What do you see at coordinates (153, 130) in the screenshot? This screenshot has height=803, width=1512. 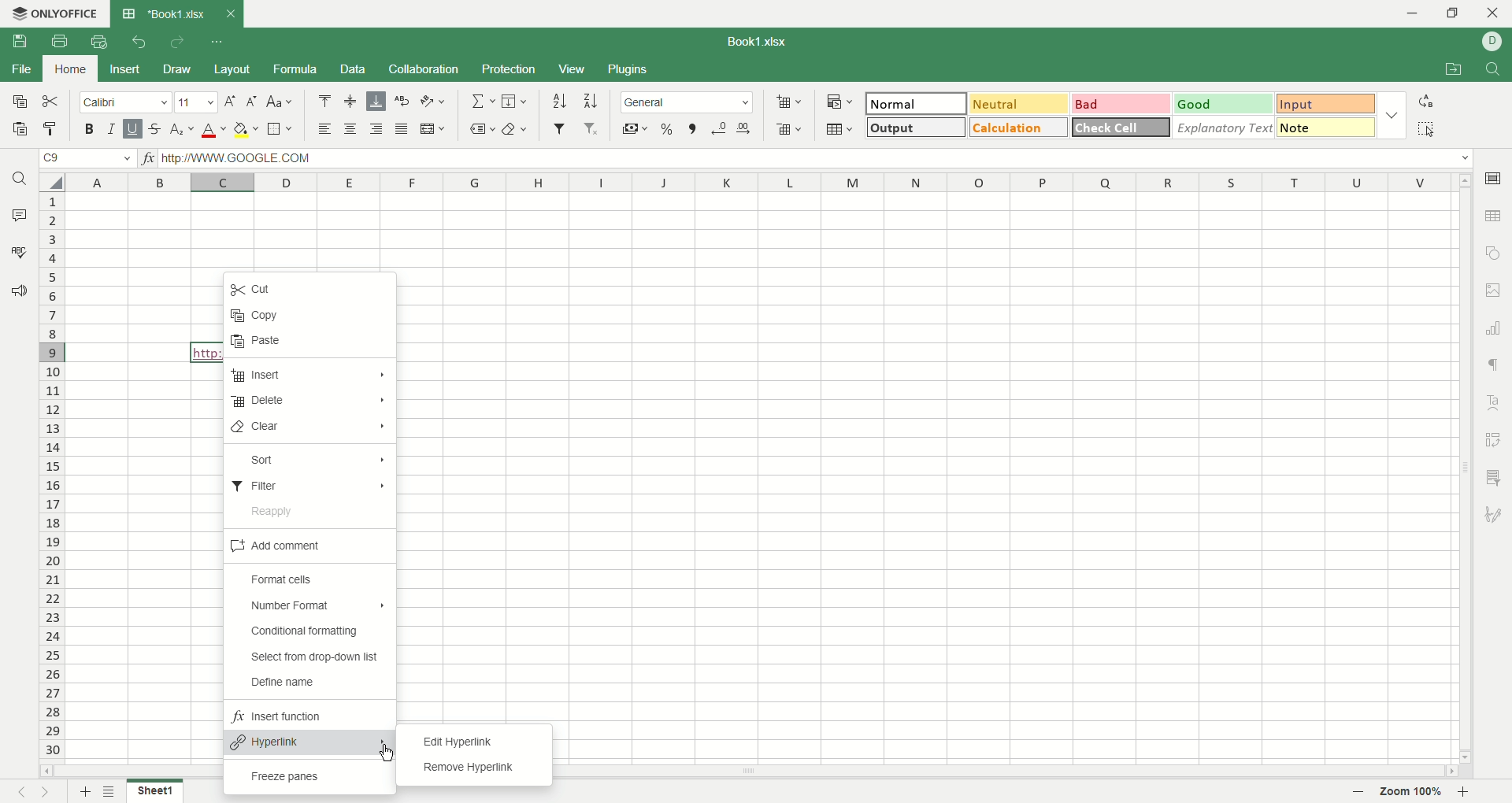 I see `strikethrough` at bounding box center [153, 130].